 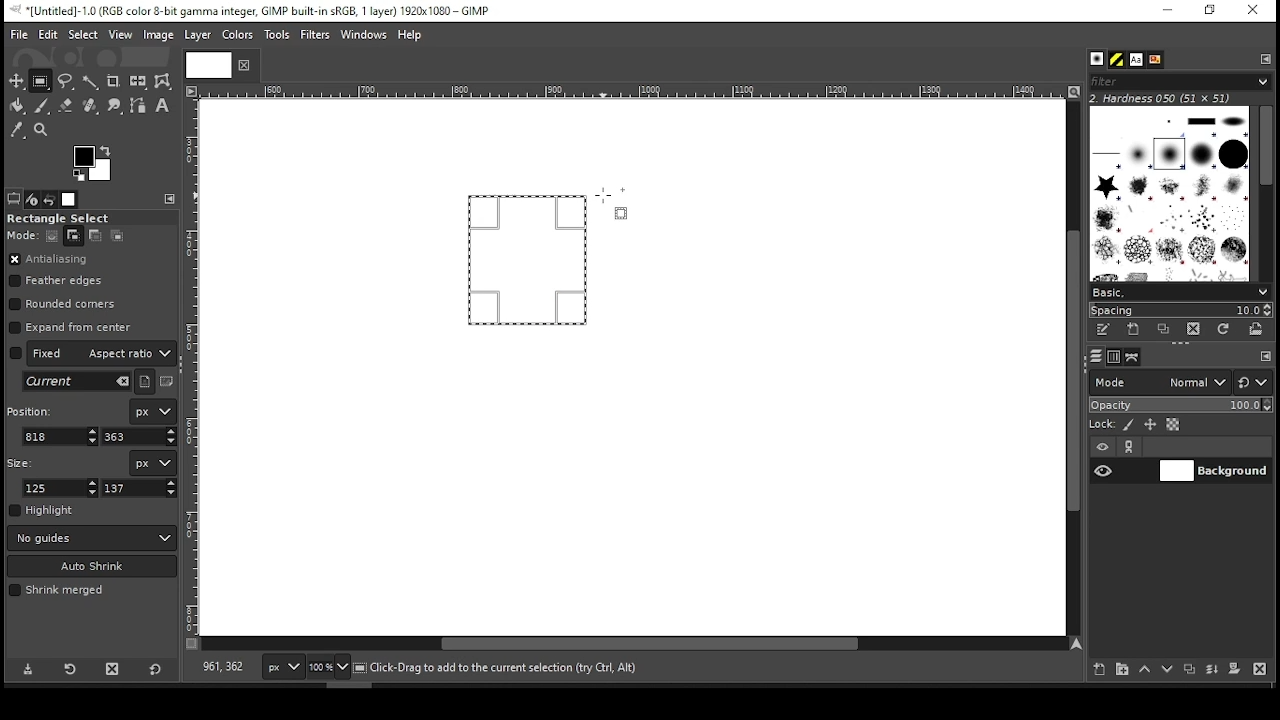 What do you see at coordinates (42, 510) in the screenshot?
I see `highlight` at bounding box center [42, 510].